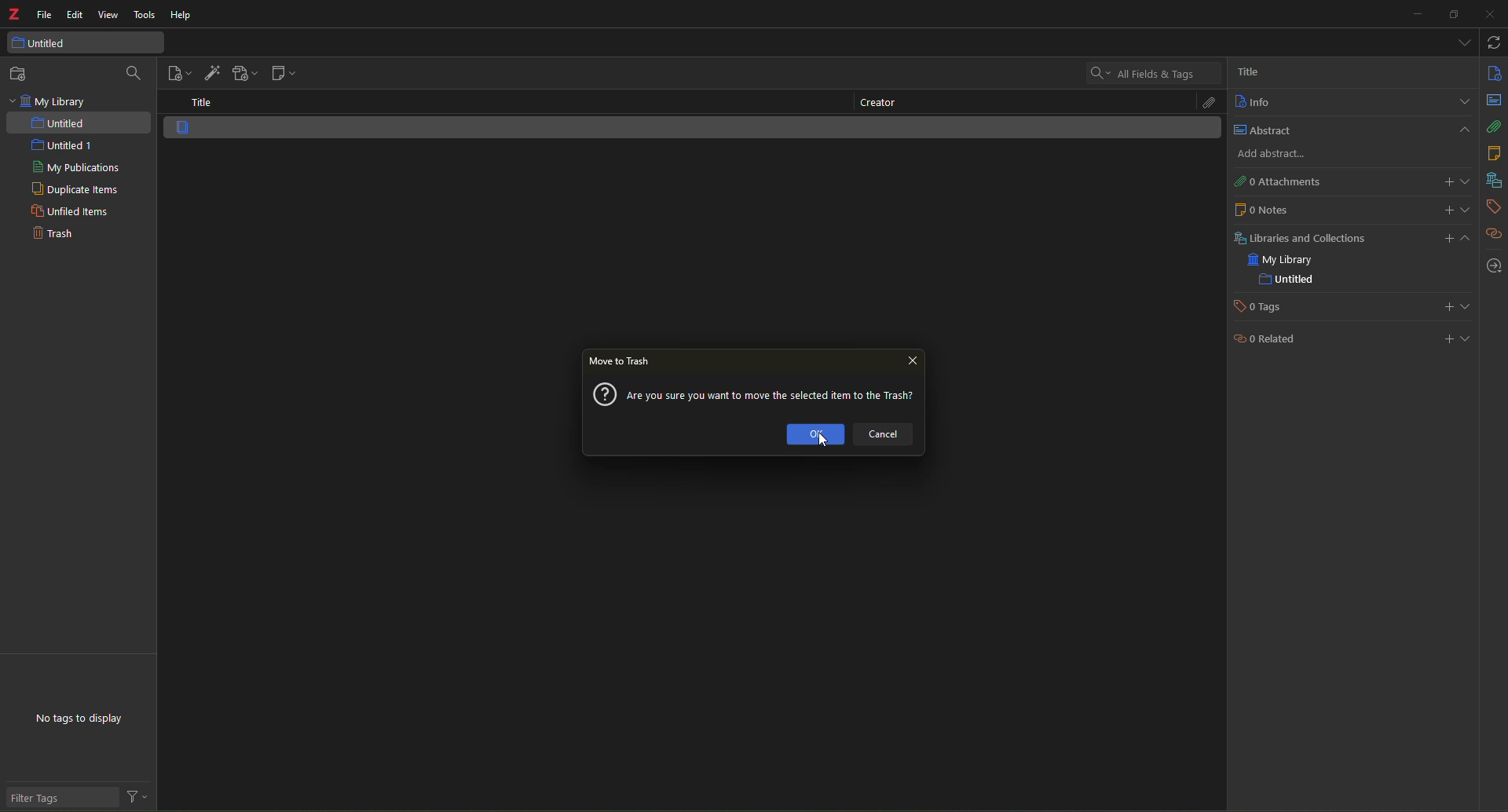 Image resolution: width=1508 pixels, height=812 pixels. Describe the element at coordinates (243, 74) in the screenshot. I see `add attachment` at that location.